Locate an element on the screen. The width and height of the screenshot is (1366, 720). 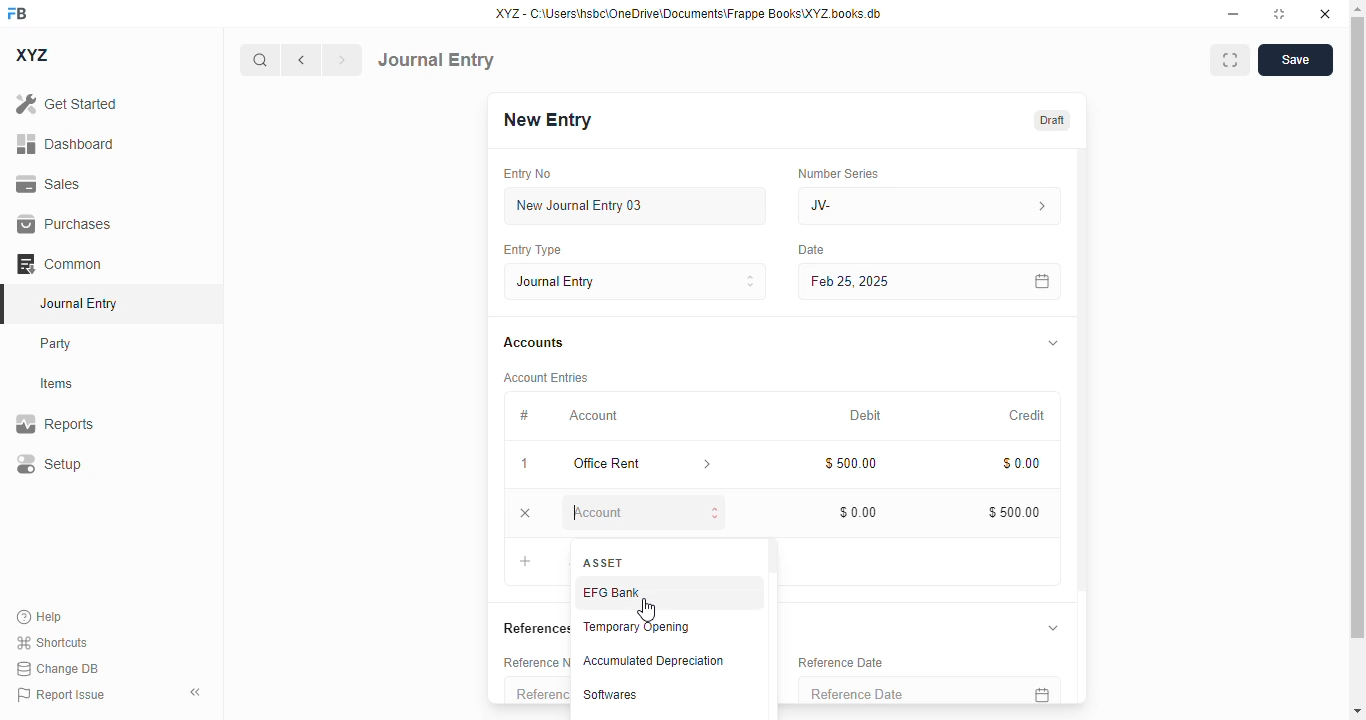
debit is located at coordinates (866, 417).